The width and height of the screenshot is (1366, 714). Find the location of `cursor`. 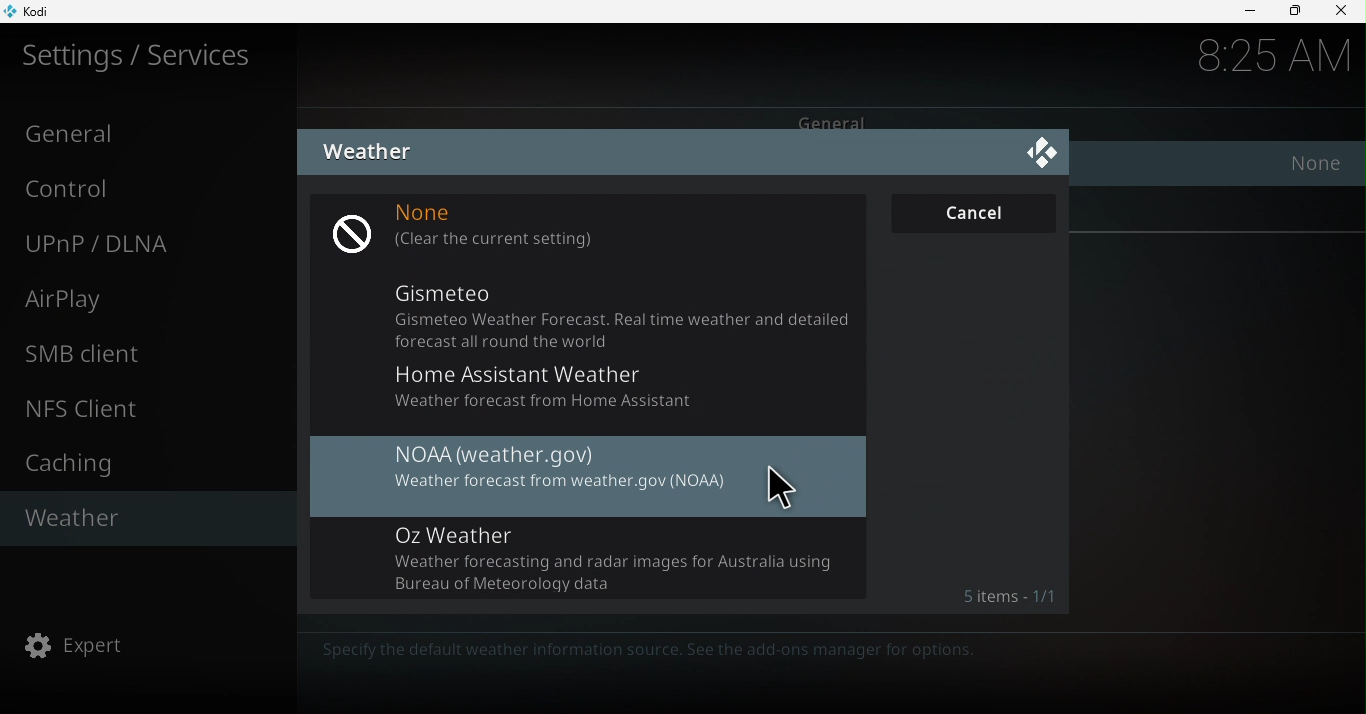

cursor is located at coordinates (773, 488).